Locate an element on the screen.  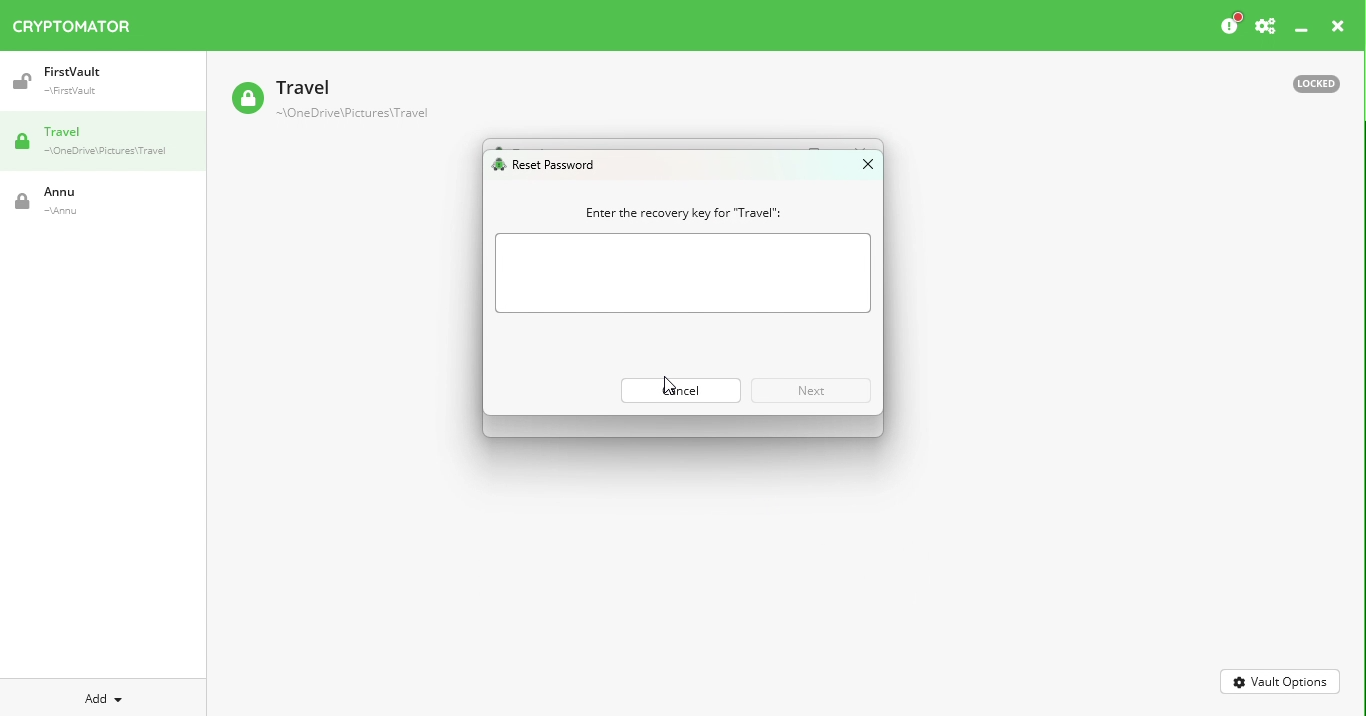
Enter recovery key is located at coordinates (674, 212).